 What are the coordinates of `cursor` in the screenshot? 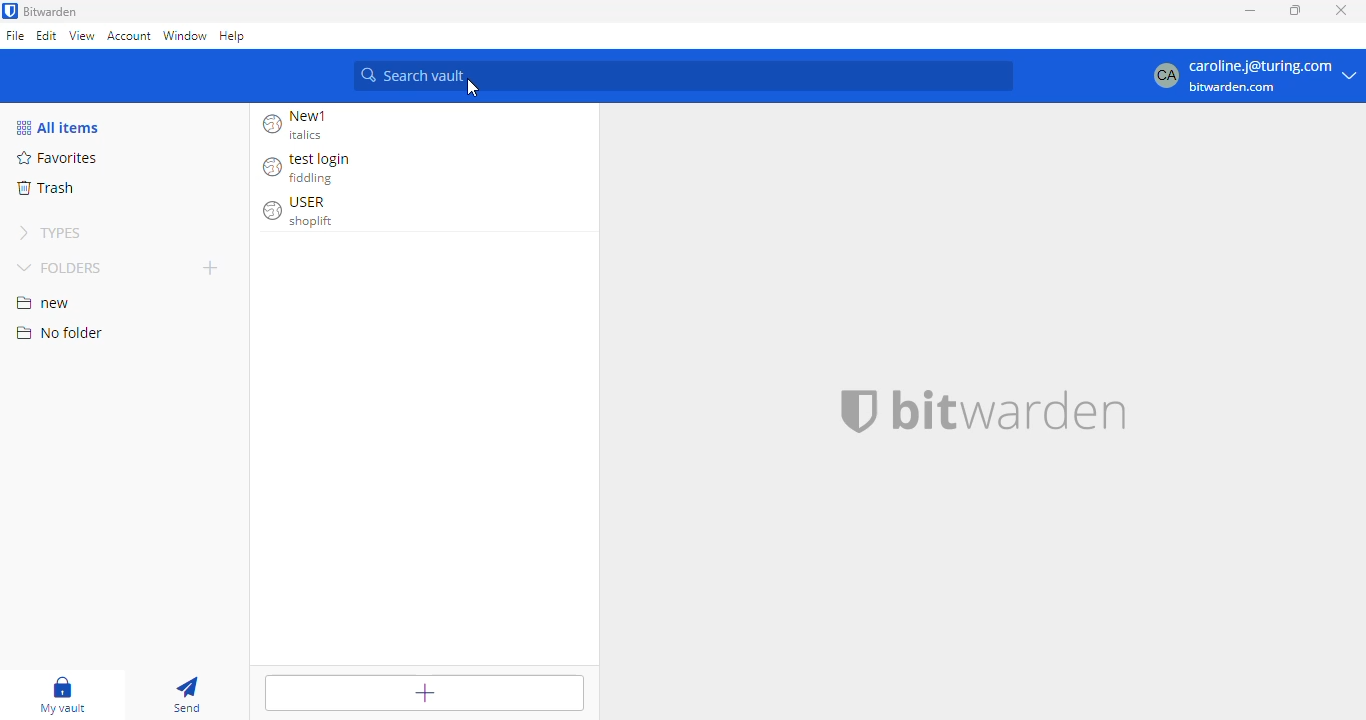 It's located at (473, 88).